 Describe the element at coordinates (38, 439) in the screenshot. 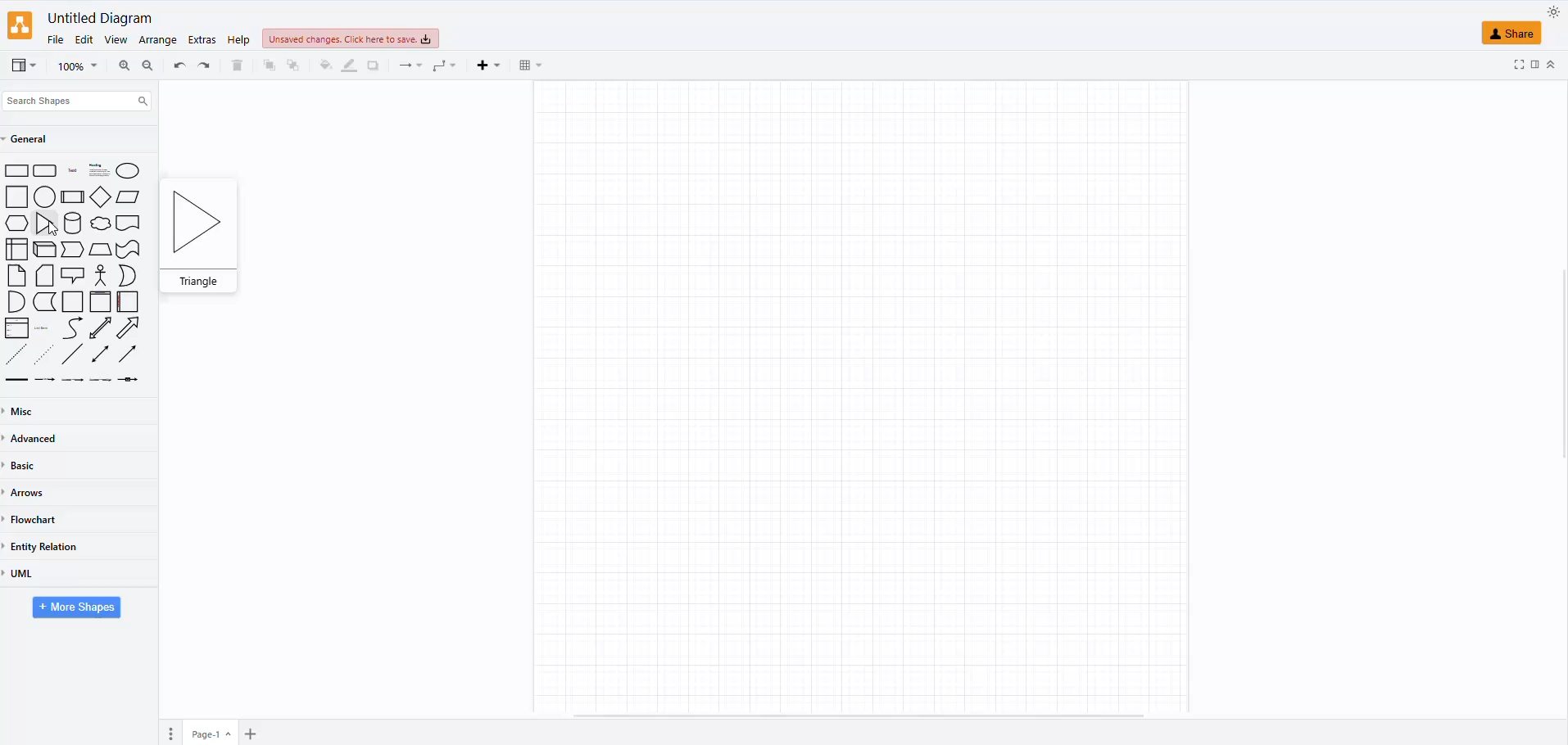

I see `advanced` at that location.